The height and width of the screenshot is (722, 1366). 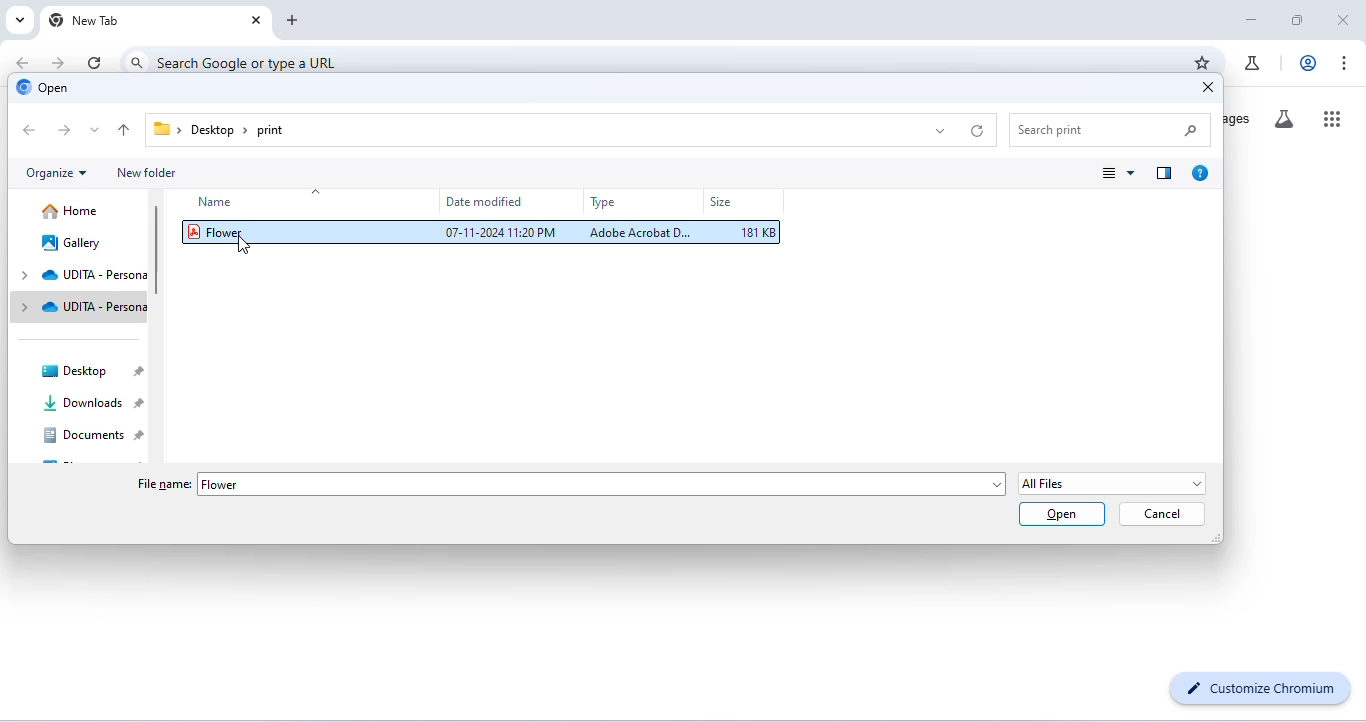 I want to click on maximize, so click(x=1297, y=19).